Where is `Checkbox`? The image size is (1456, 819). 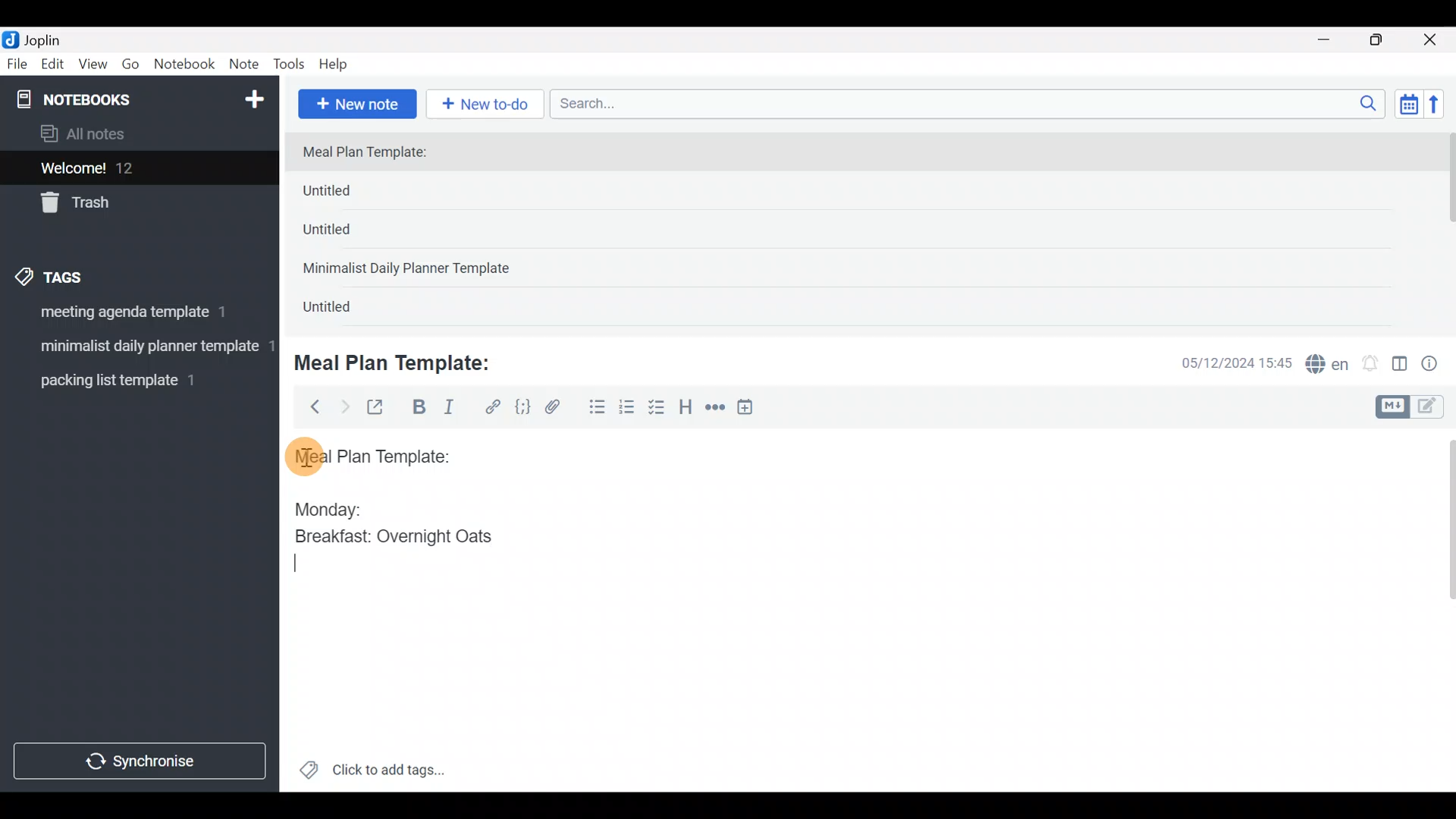 Checkbox is located at coordinates (658, 409).